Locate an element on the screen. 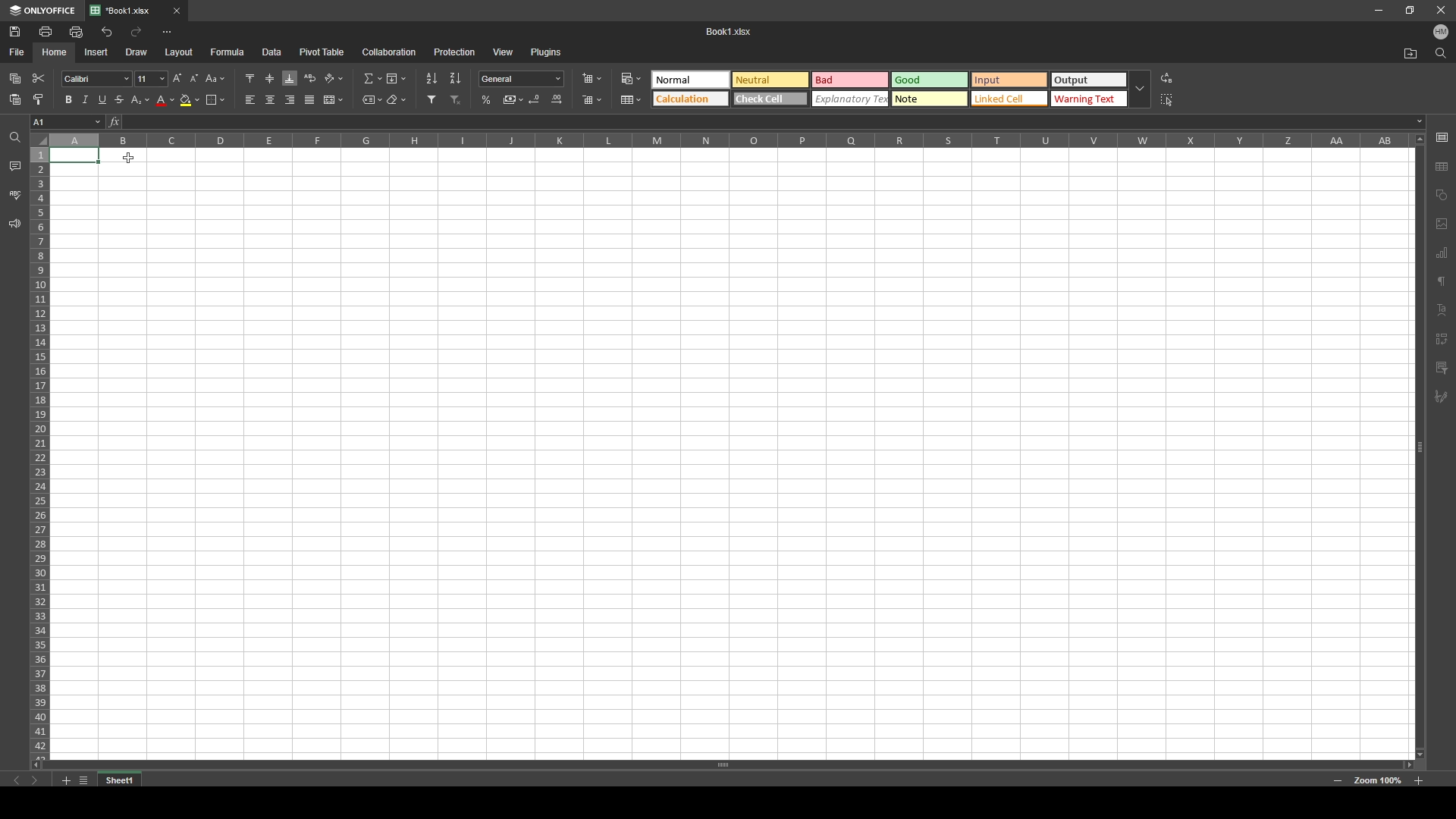 The height and width of the screenshot is (819, 1456). remove filter is located at coordinates (457, 100).